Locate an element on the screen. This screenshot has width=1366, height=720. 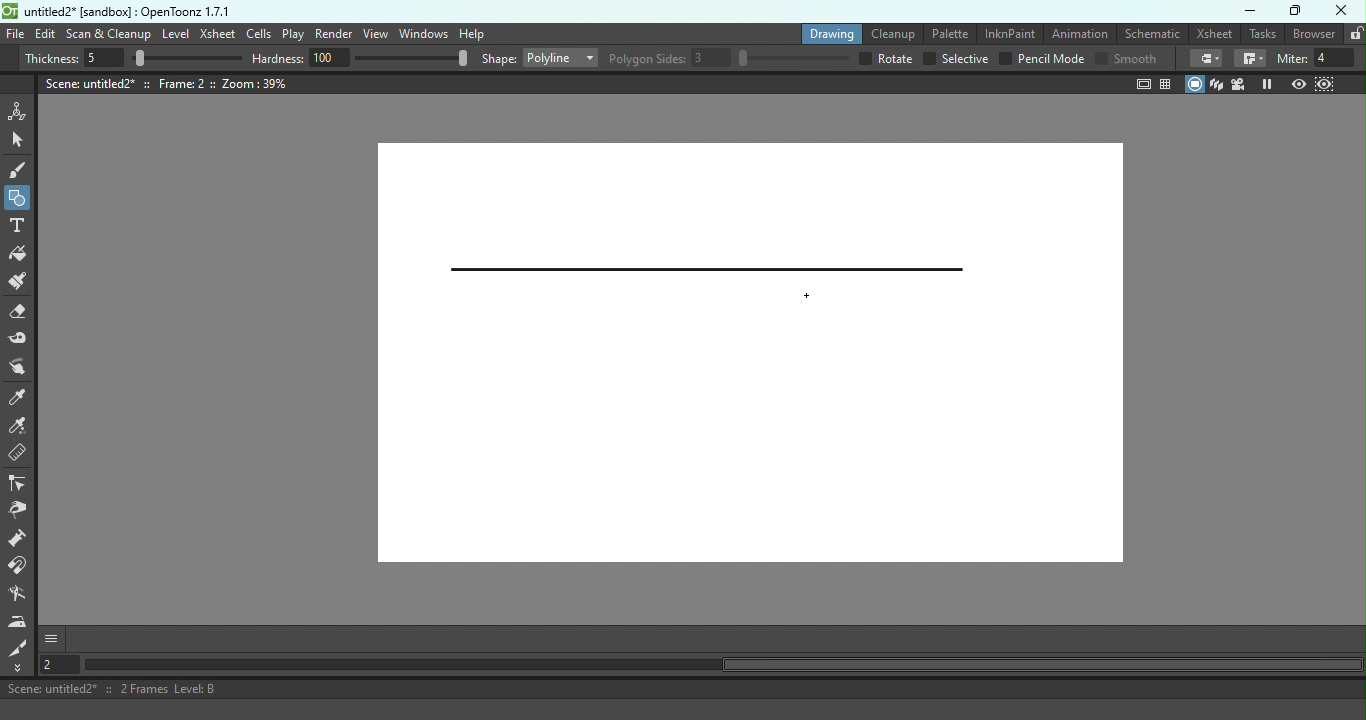
Level is located at coordinates (175, 34).